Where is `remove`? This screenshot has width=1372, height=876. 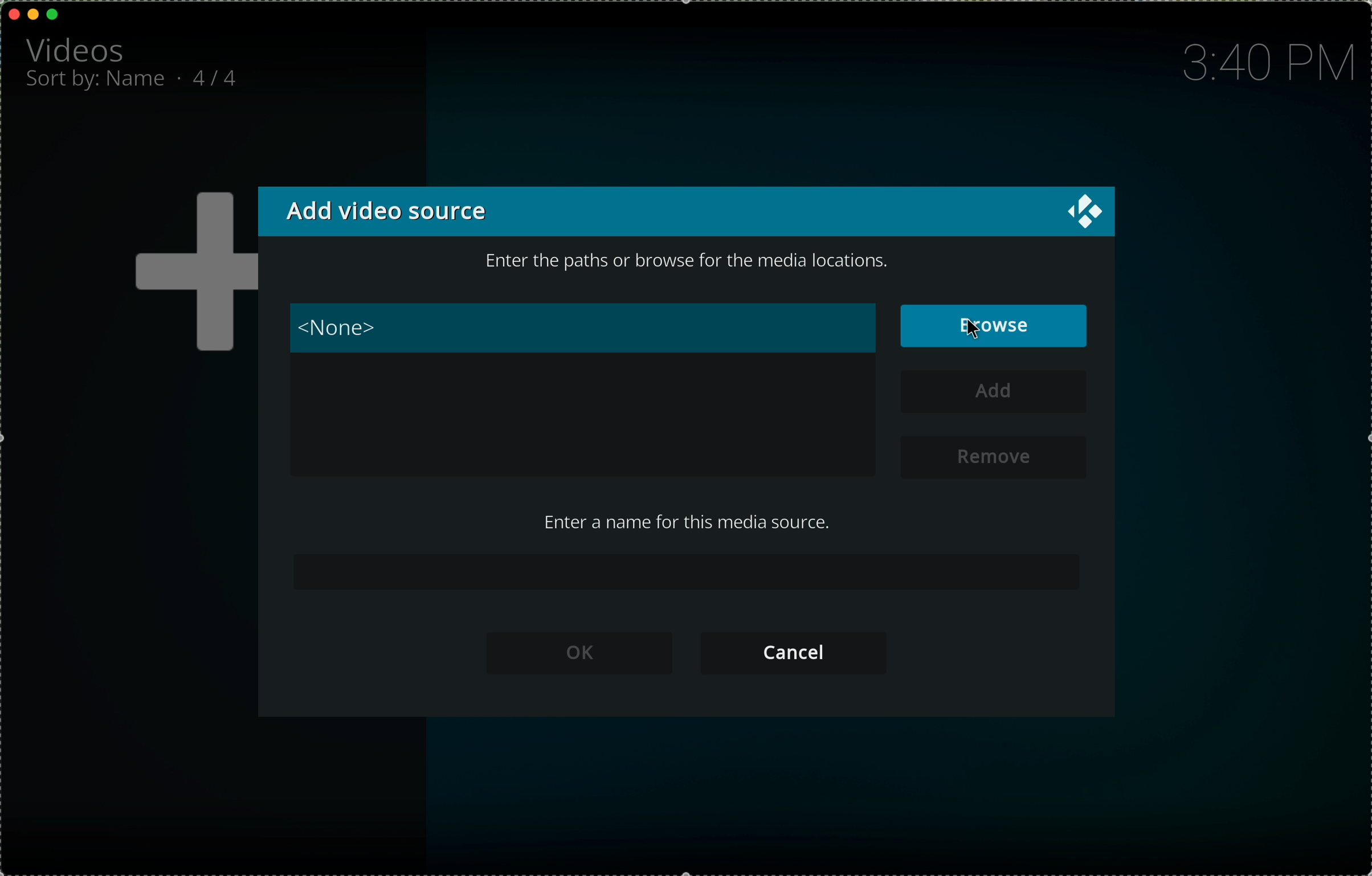
remove is located at coordinates (995, 456).